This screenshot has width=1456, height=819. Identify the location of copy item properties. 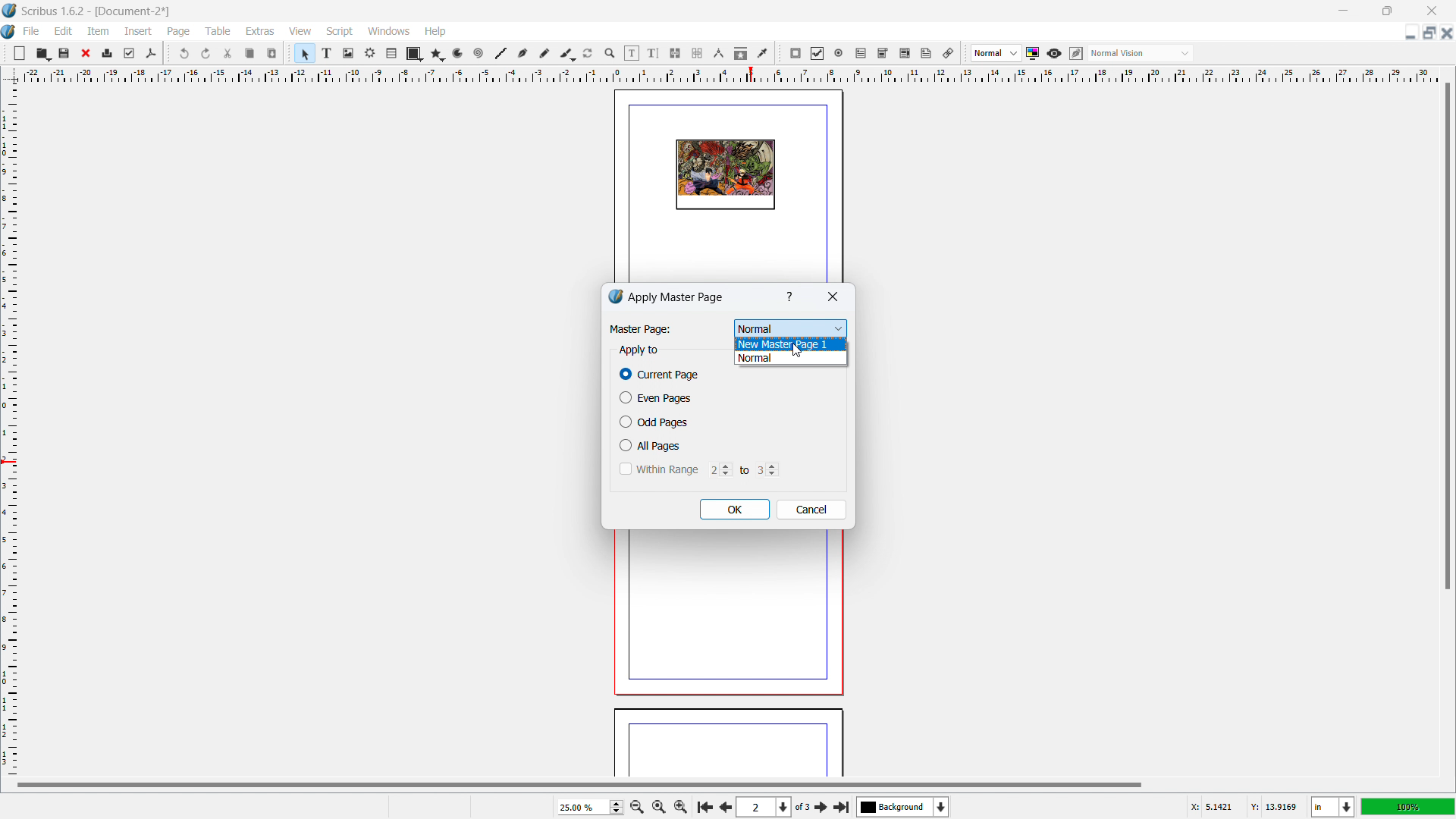
(741, 53).